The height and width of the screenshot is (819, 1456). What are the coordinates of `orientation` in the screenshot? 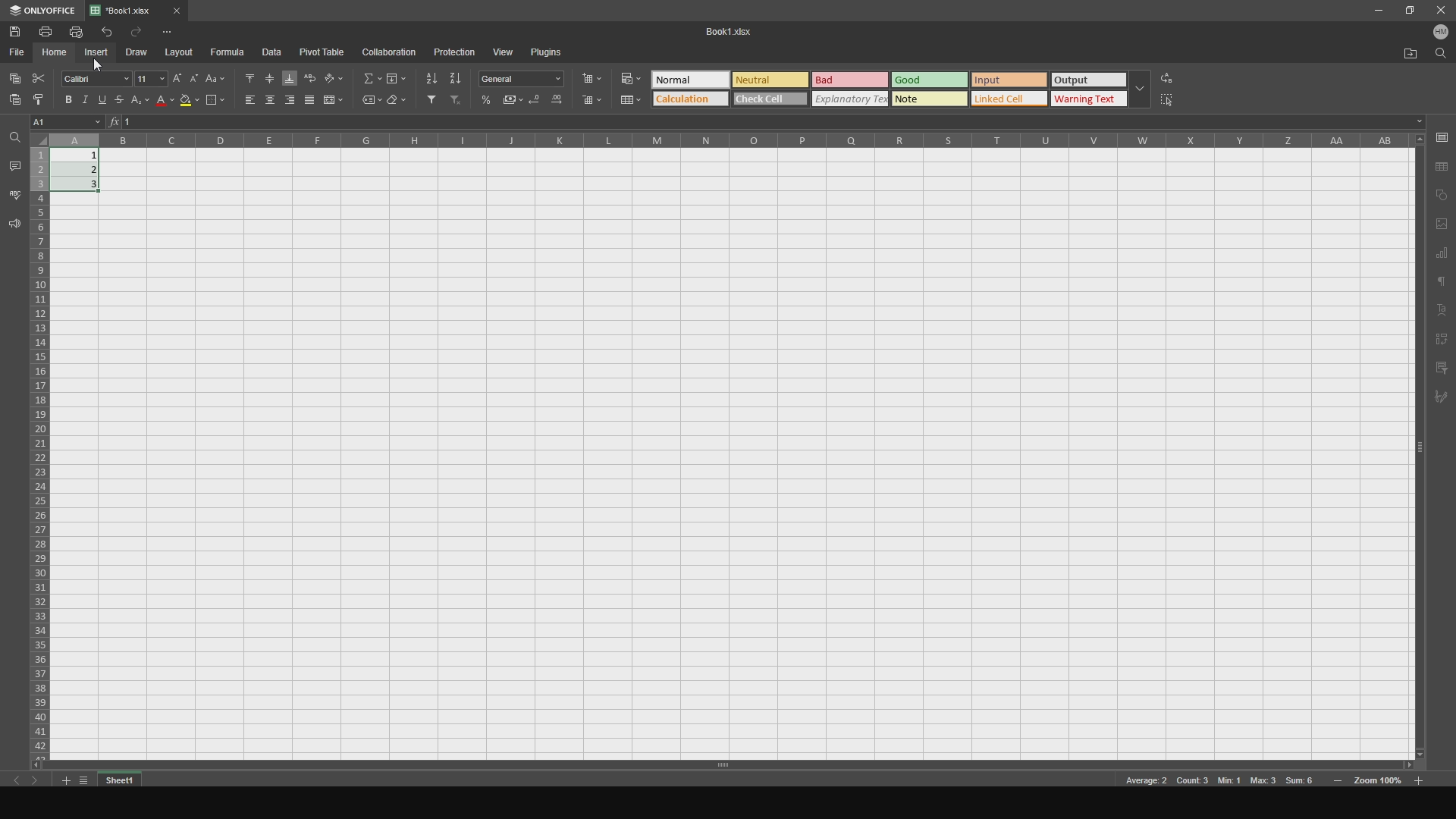 It's located at (336, 77).